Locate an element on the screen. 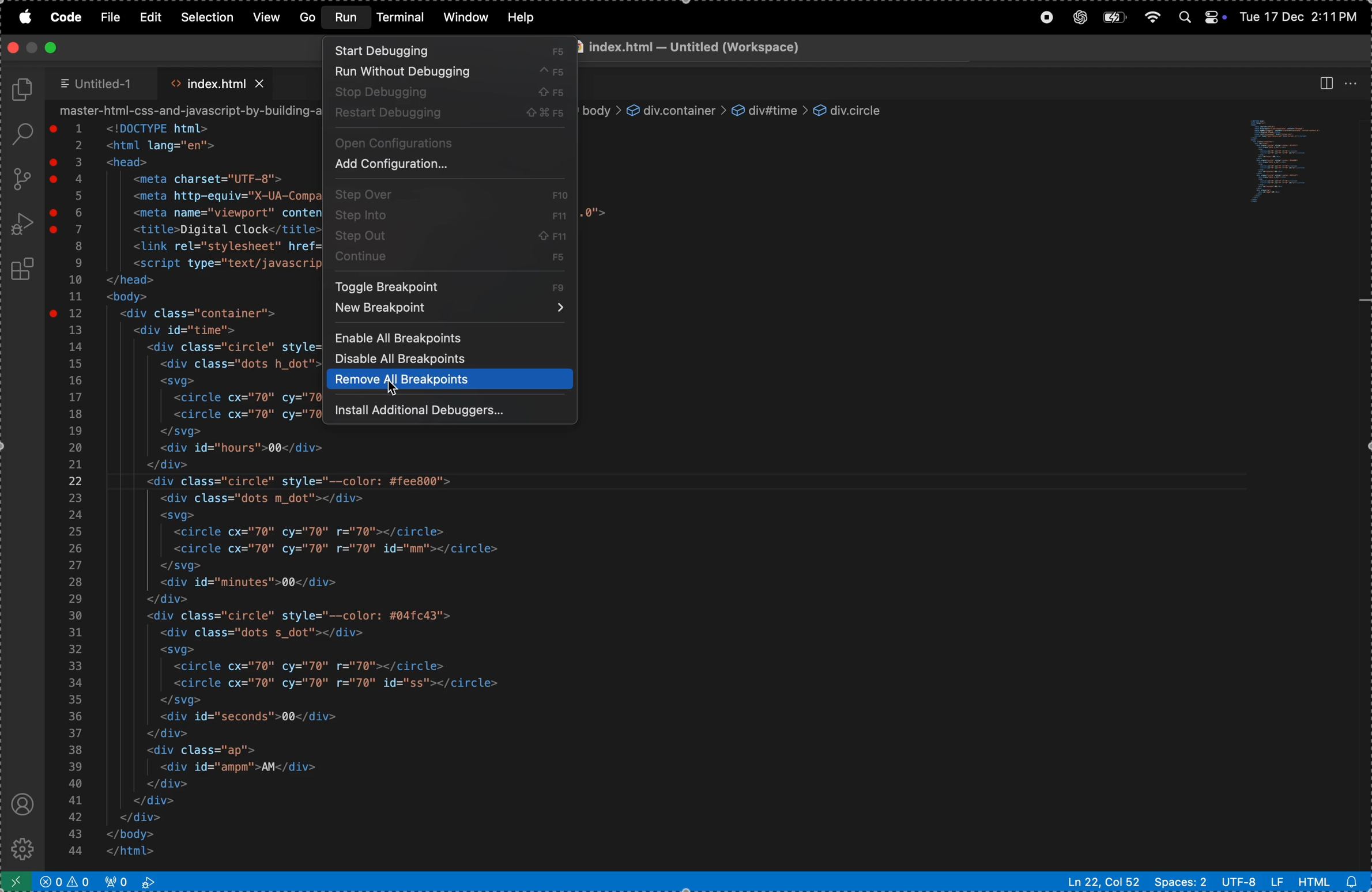 This screenshot has height=892, width=1372. toggle break point is located at coordinates (452, 285).